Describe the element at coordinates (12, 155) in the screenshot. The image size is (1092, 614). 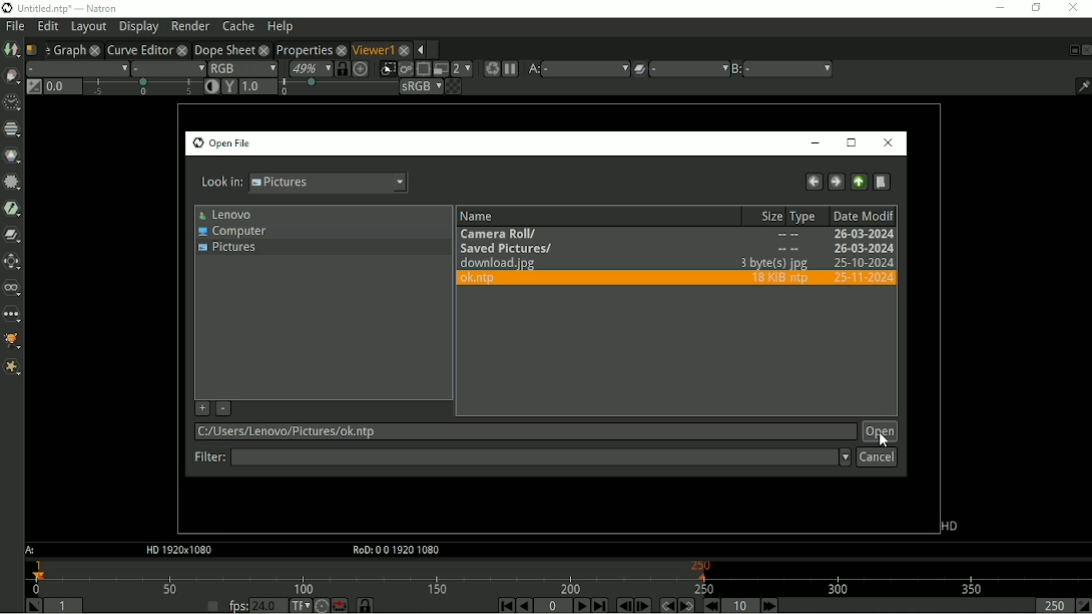
I see `Color` at that location.